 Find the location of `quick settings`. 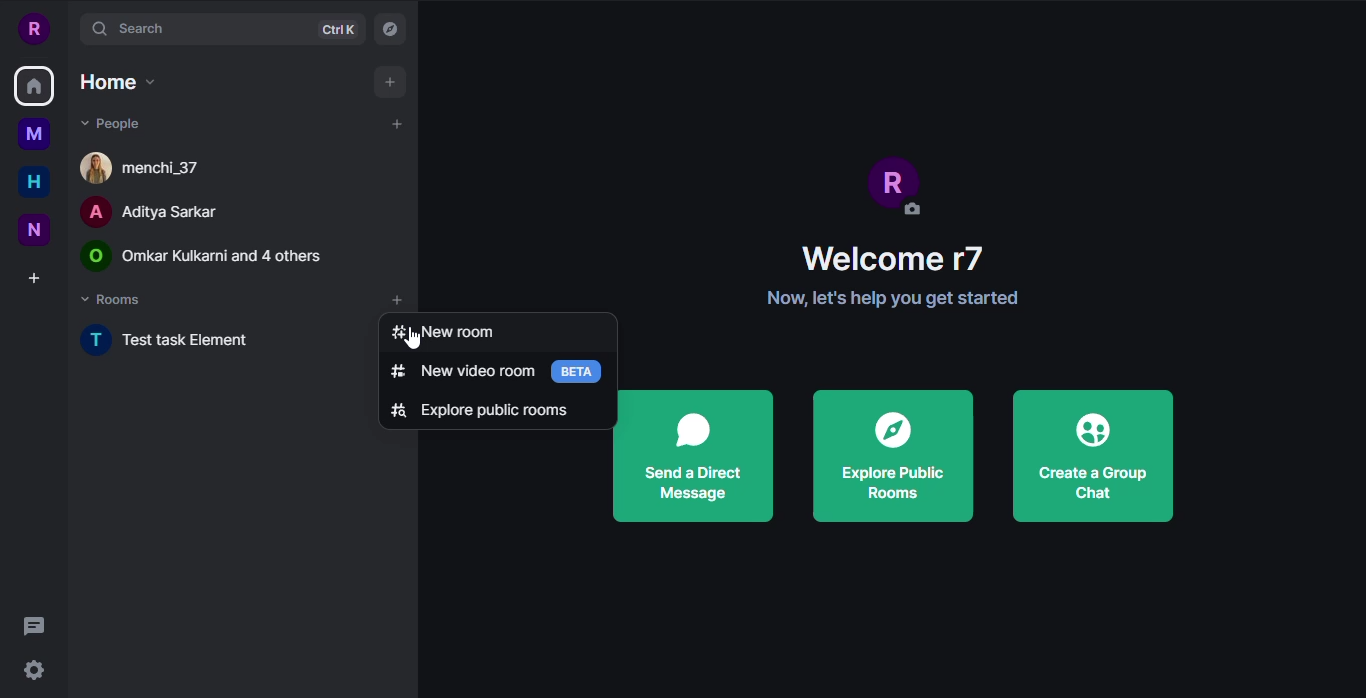

quick settings is located at coordinates (35, 673).